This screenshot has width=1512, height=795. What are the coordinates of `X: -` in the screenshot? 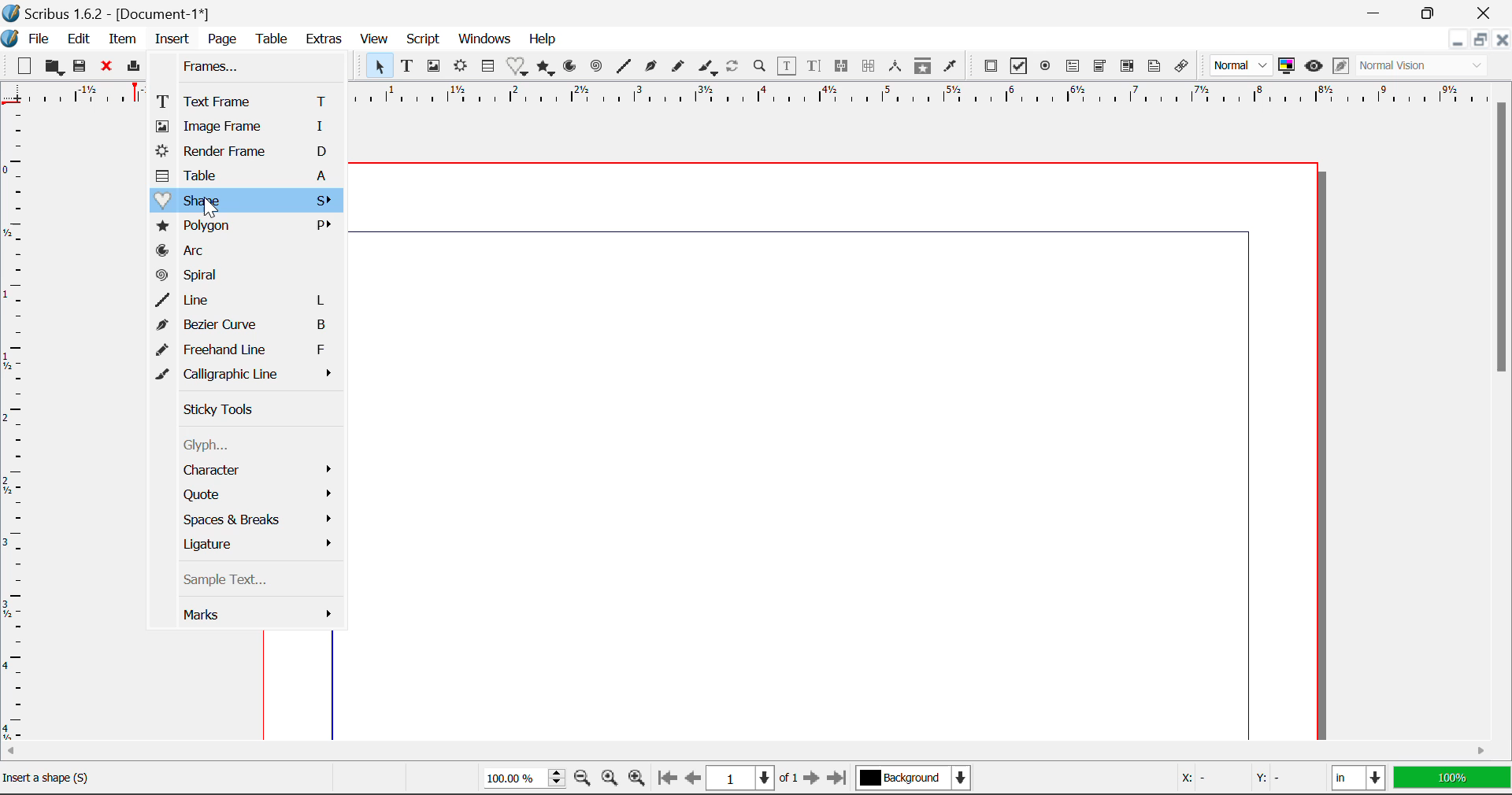 It's located at (1208, 775).